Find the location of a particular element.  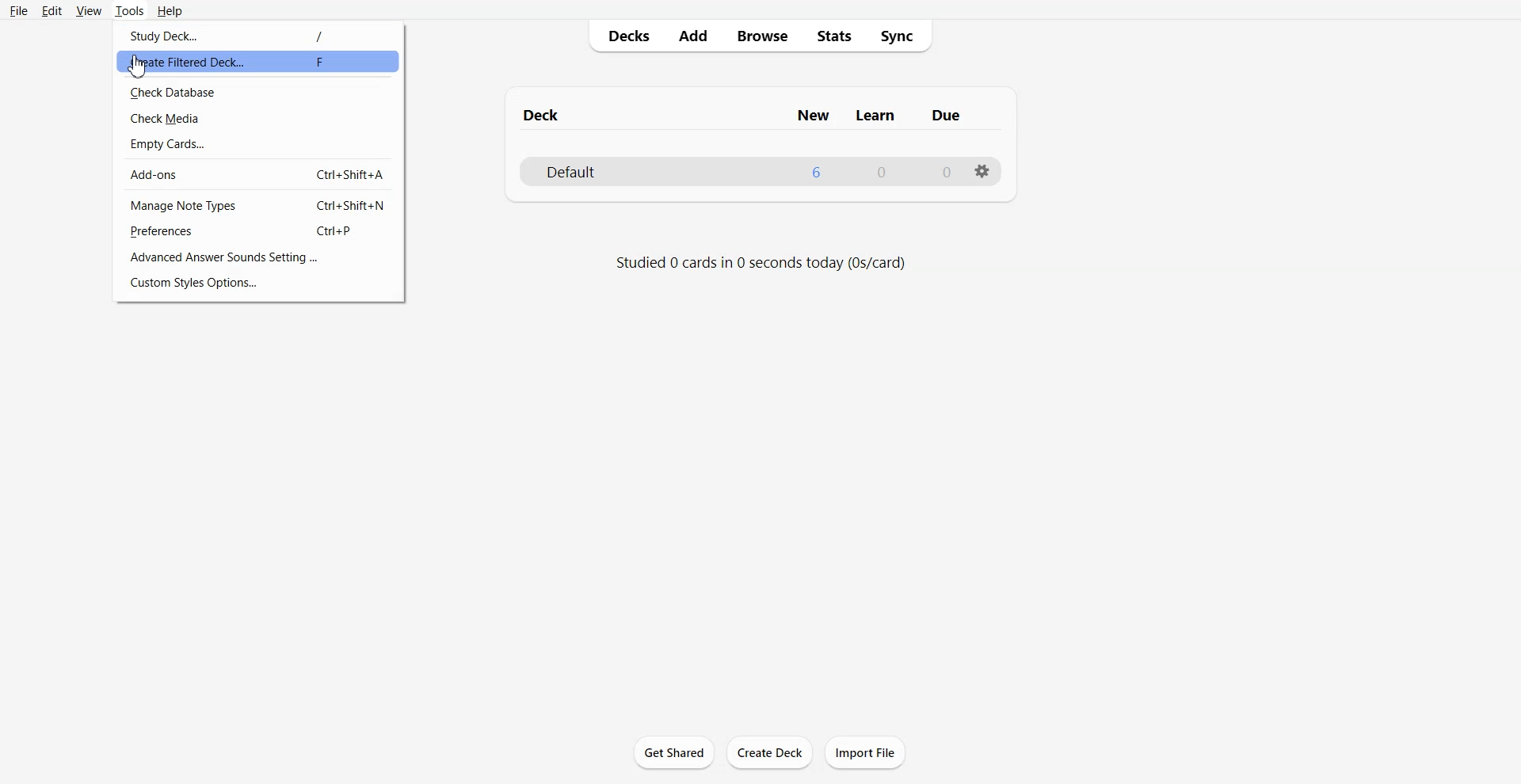

Empty Cards is located at coordinates (259, 143).